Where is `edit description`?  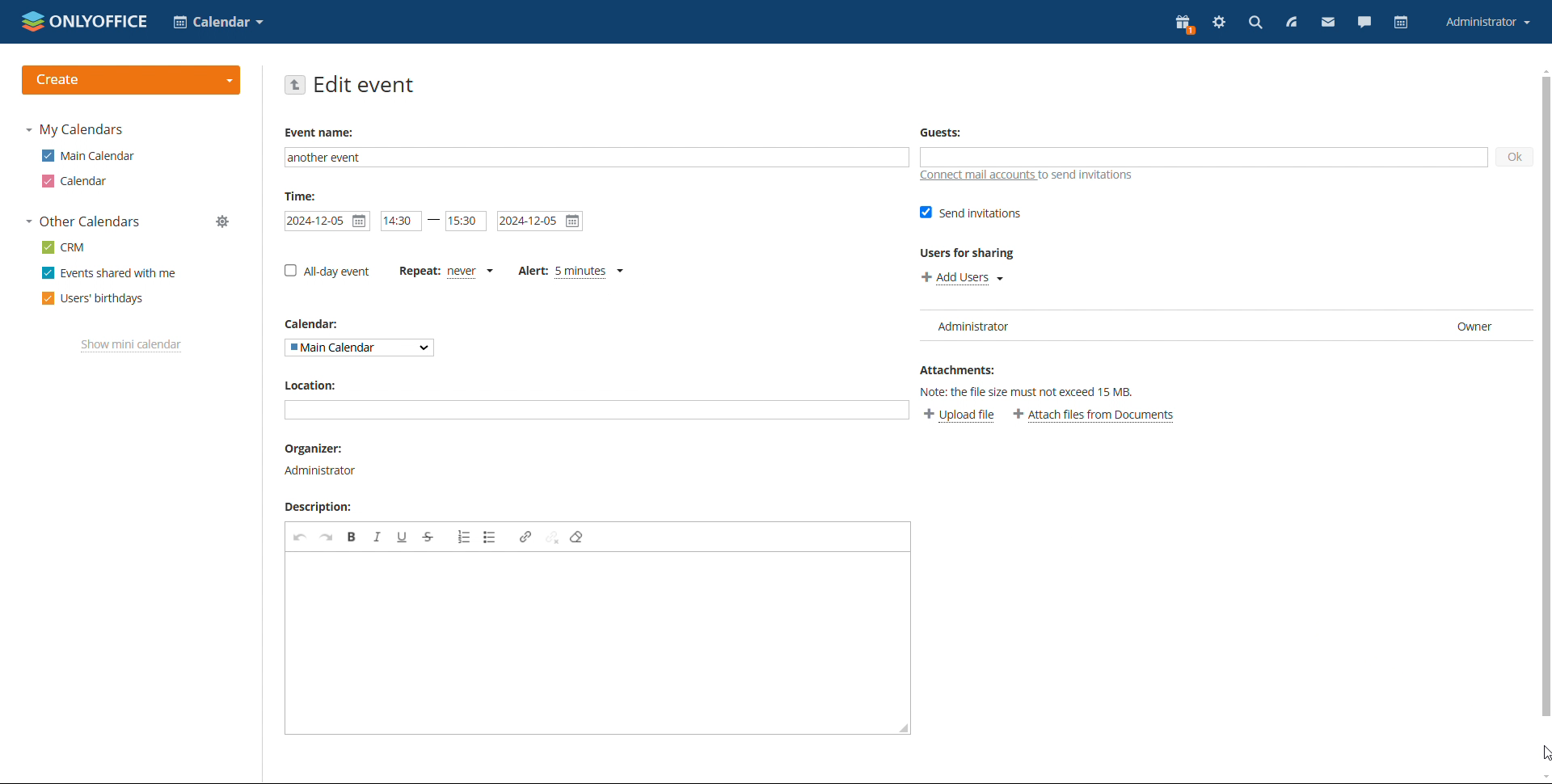 edit description is located at coordinates (597, 643).